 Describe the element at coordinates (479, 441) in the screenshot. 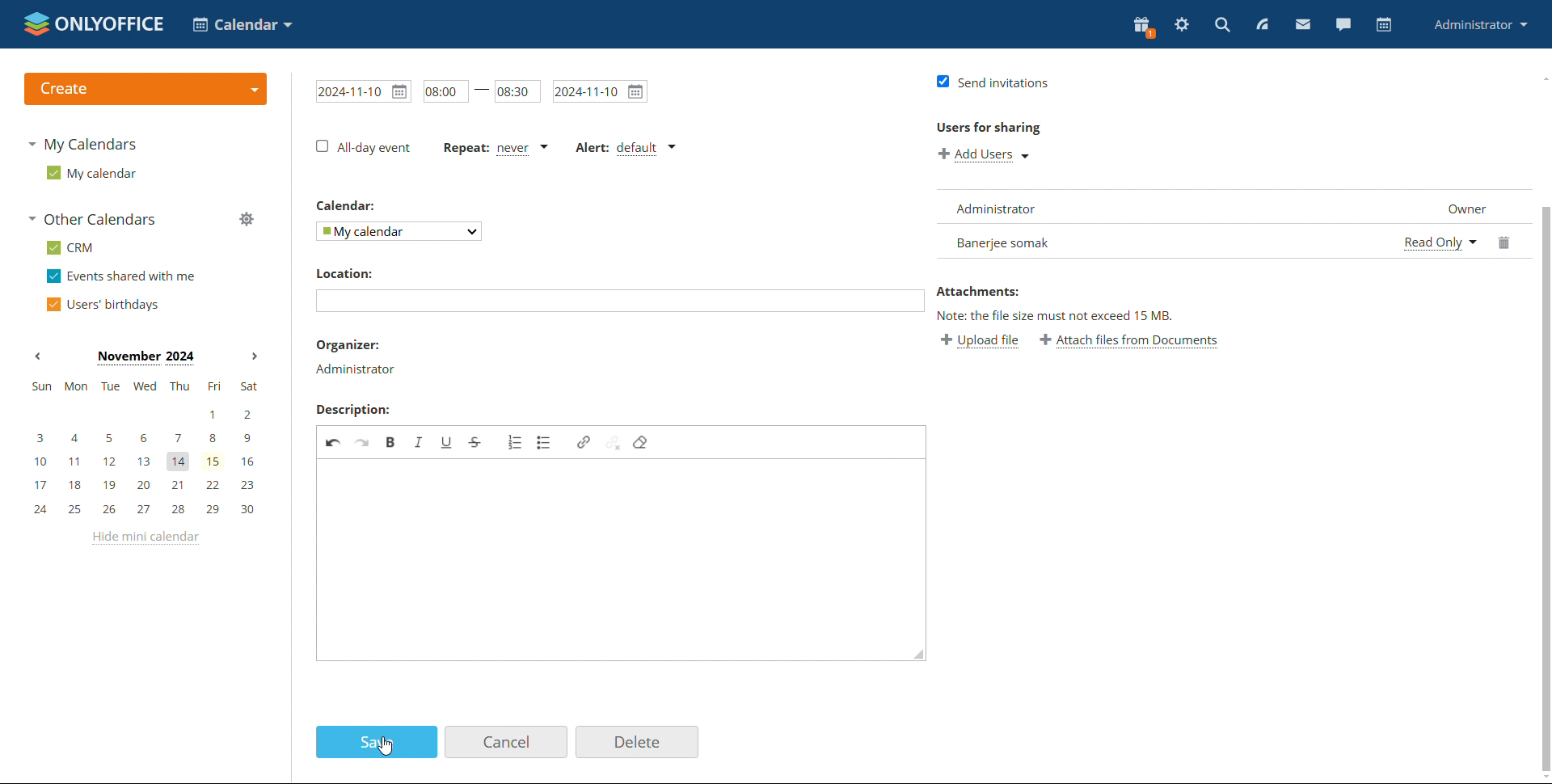

I see `strike through` at that location.